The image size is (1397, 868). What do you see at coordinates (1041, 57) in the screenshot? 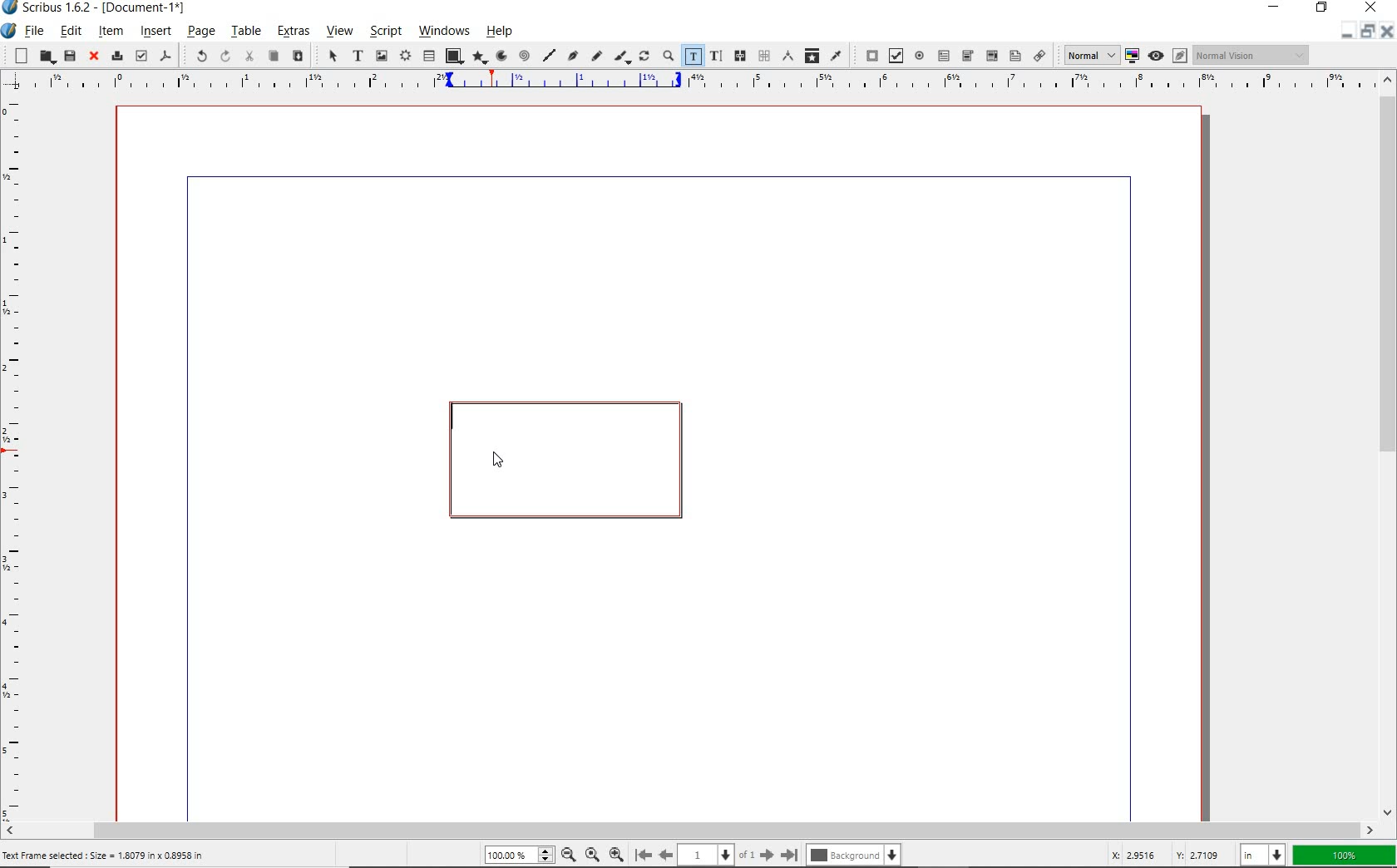
I see `link annotation` at bounding box center [1041, 57].